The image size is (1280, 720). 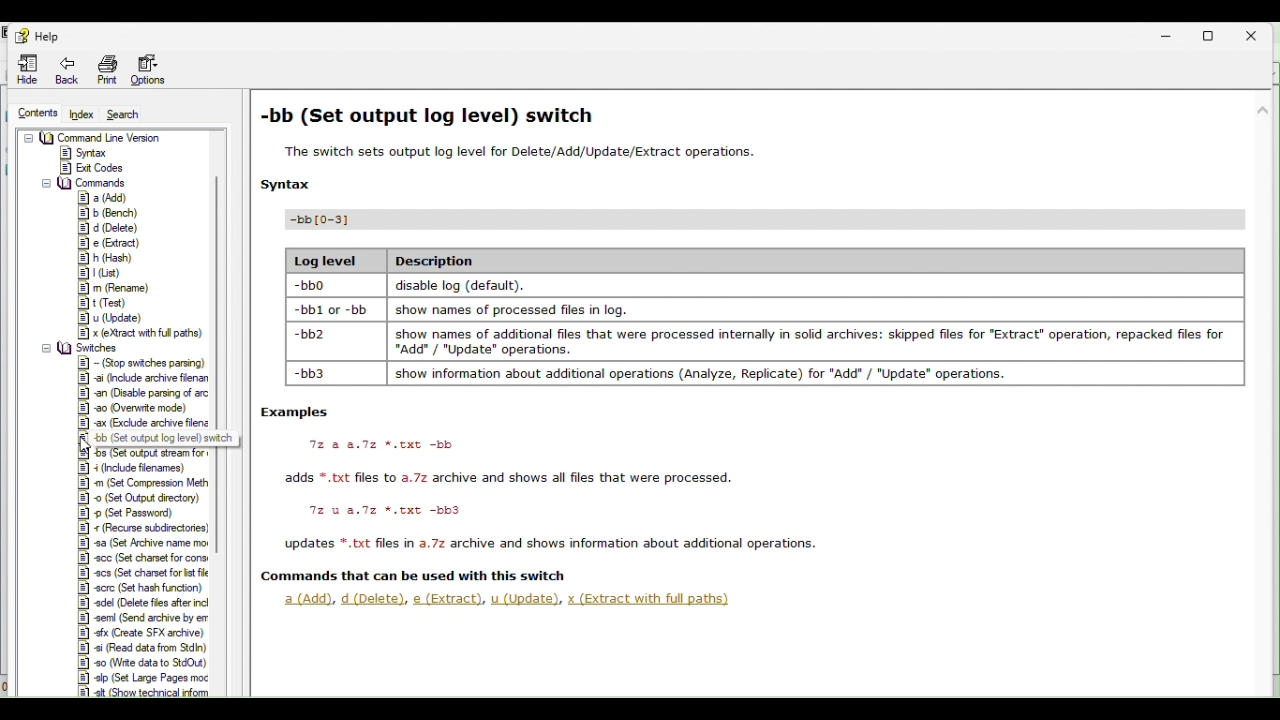 I want to click on back, so click(x=65, y=69).